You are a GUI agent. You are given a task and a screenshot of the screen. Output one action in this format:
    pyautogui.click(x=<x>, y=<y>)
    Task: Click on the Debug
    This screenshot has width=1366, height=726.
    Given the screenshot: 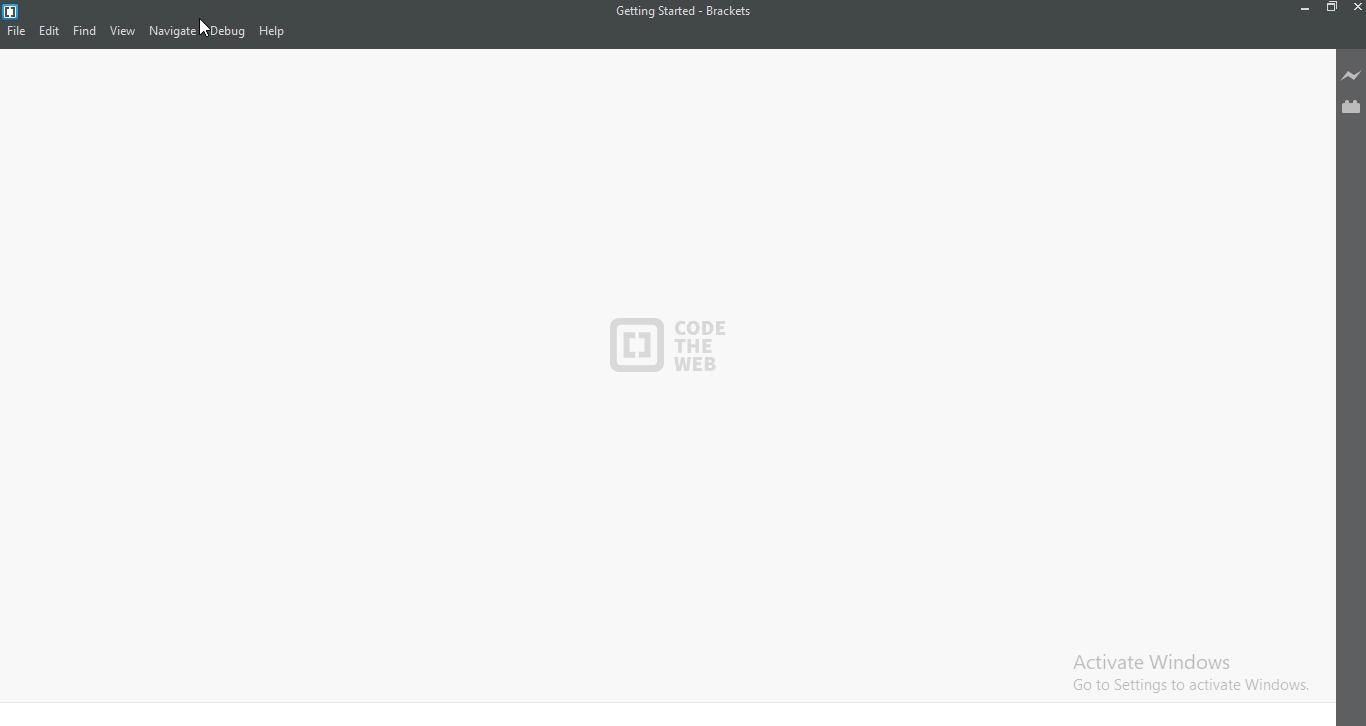 What is the action you would take?
    pyautogui.click(x=228, y=31)
    